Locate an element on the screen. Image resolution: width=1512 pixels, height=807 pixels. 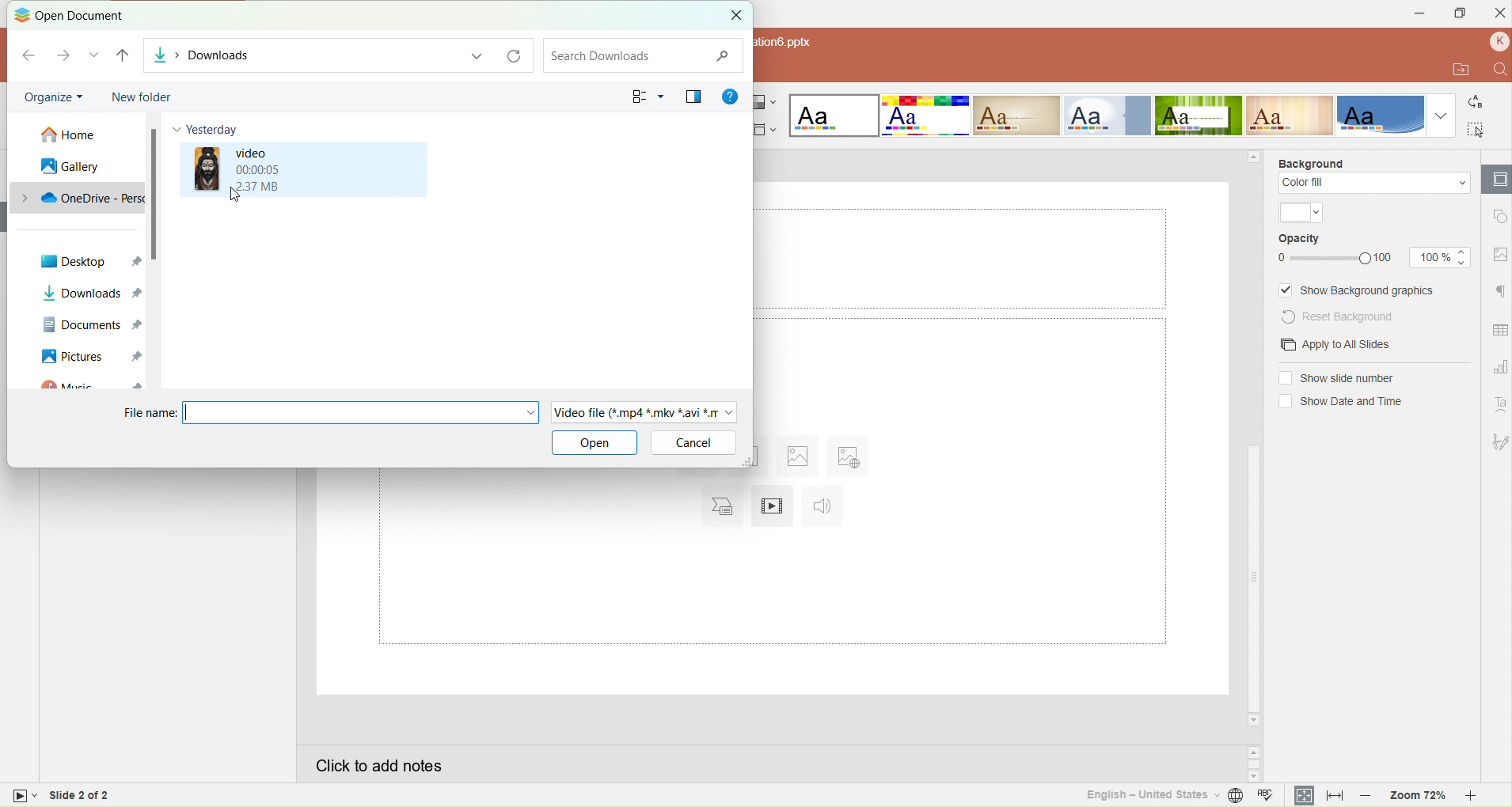
Opacity is located at coordinates (1298, 239).